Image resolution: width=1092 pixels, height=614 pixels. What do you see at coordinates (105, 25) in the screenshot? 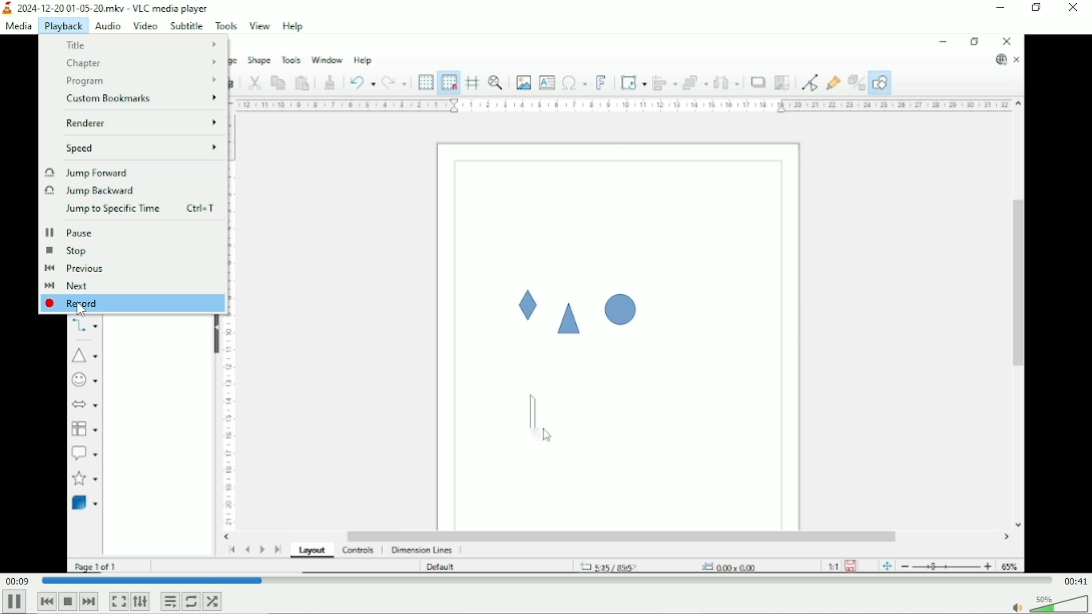
I see `Audio` at bounding box center [105, 25].